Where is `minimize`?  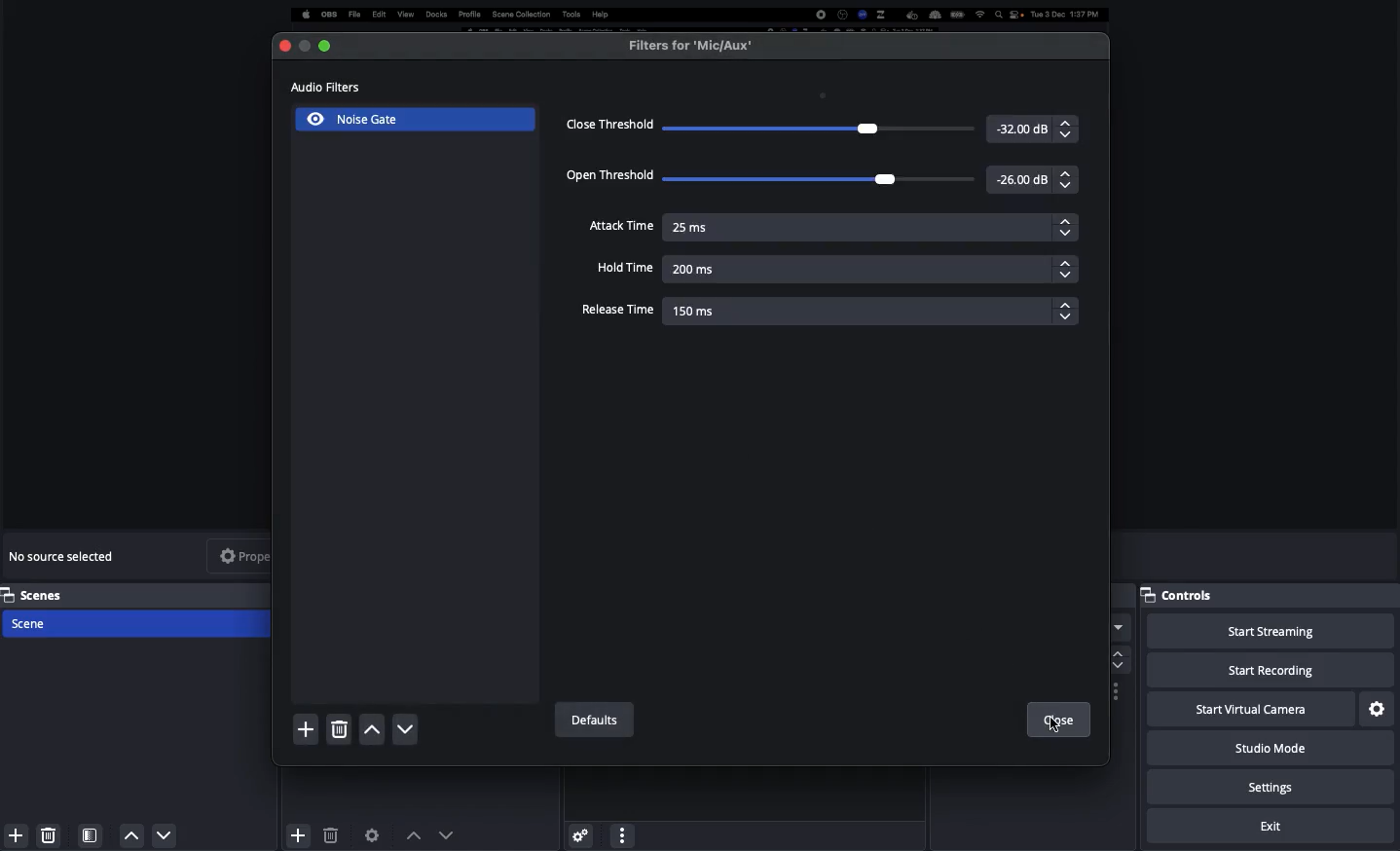
minimize is located at coordinates (329, 45).